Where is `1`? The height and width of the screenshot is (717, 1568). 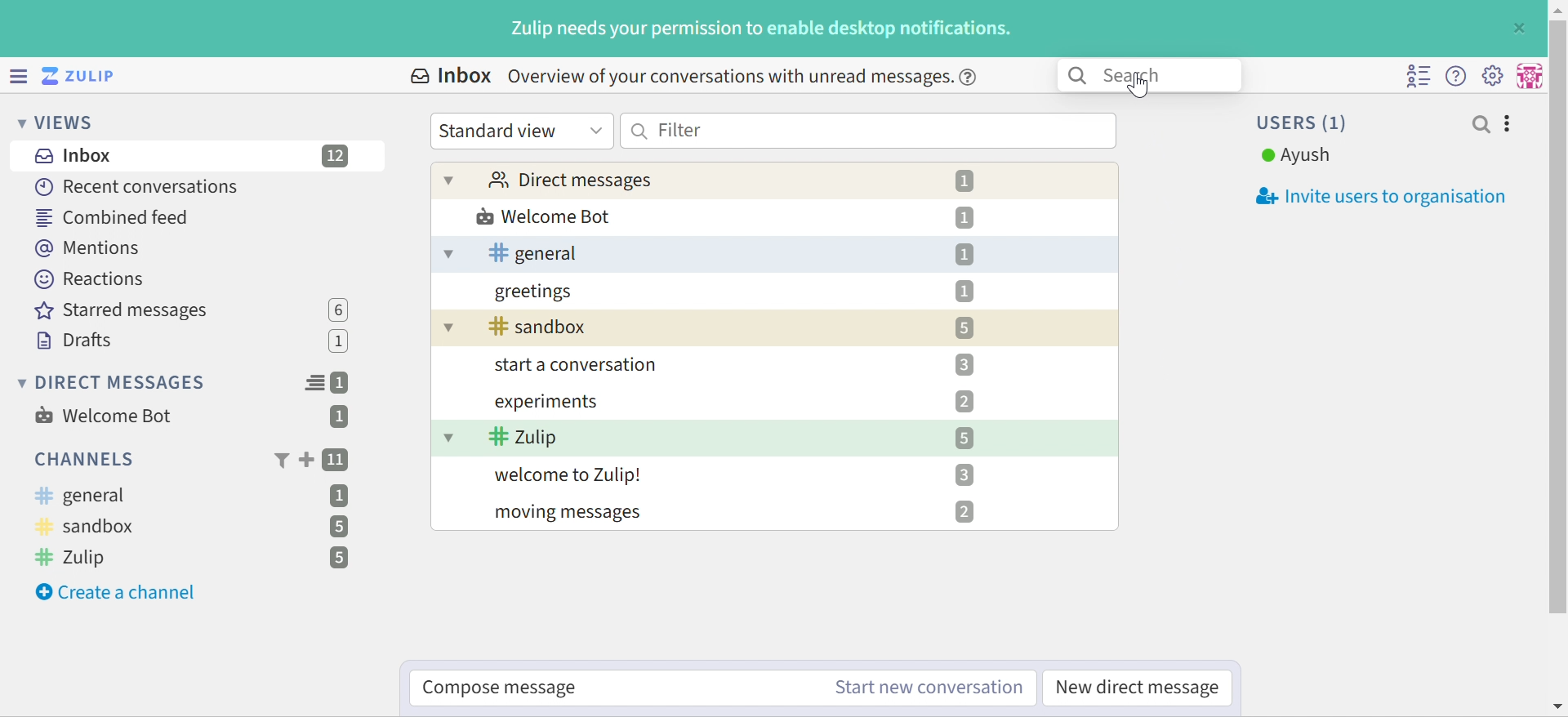
1 is located at coordinates (964, 292).